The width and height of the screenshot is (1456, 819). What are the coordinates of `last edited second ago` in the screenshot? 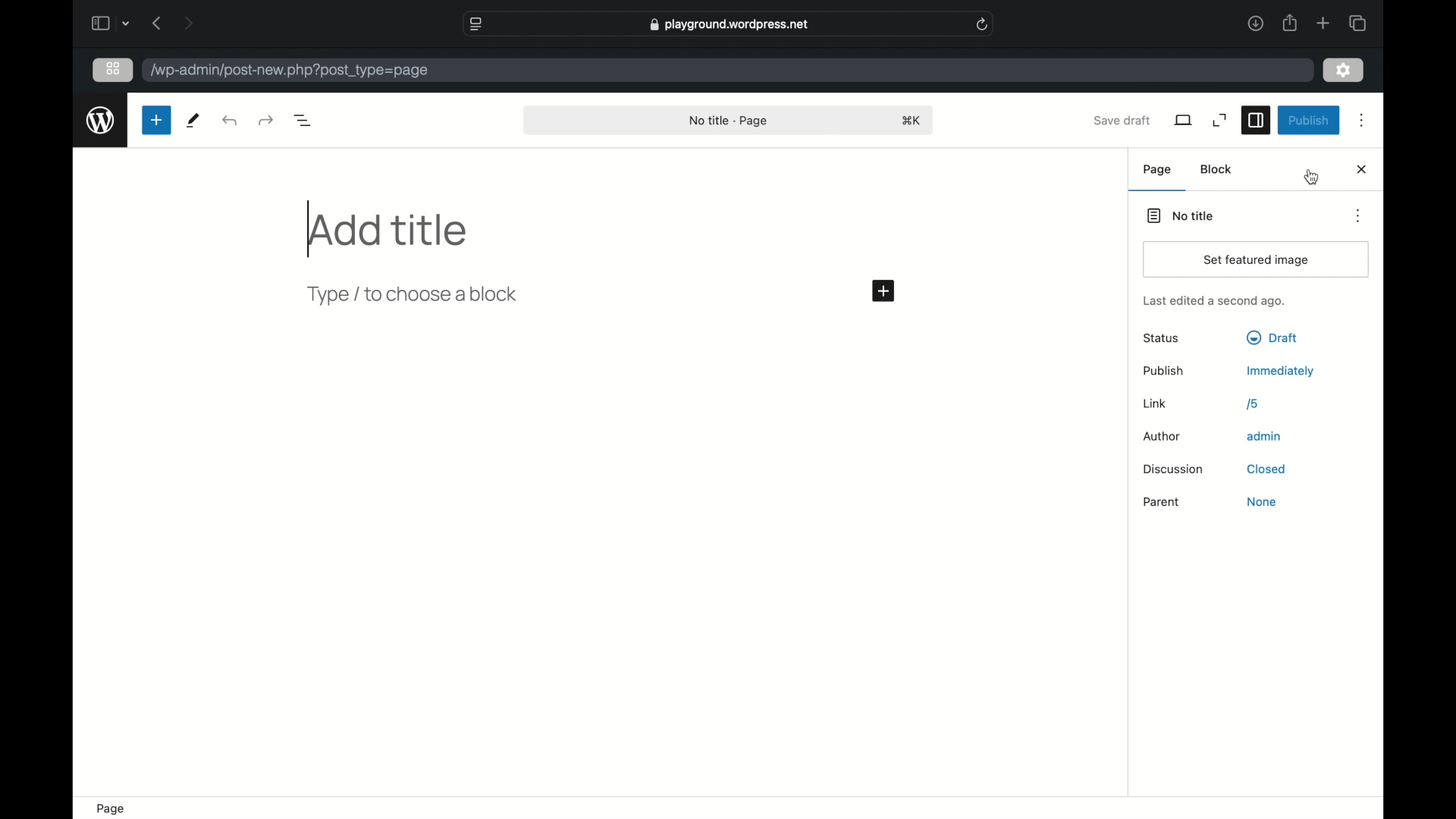 It's located at (1213, 302).